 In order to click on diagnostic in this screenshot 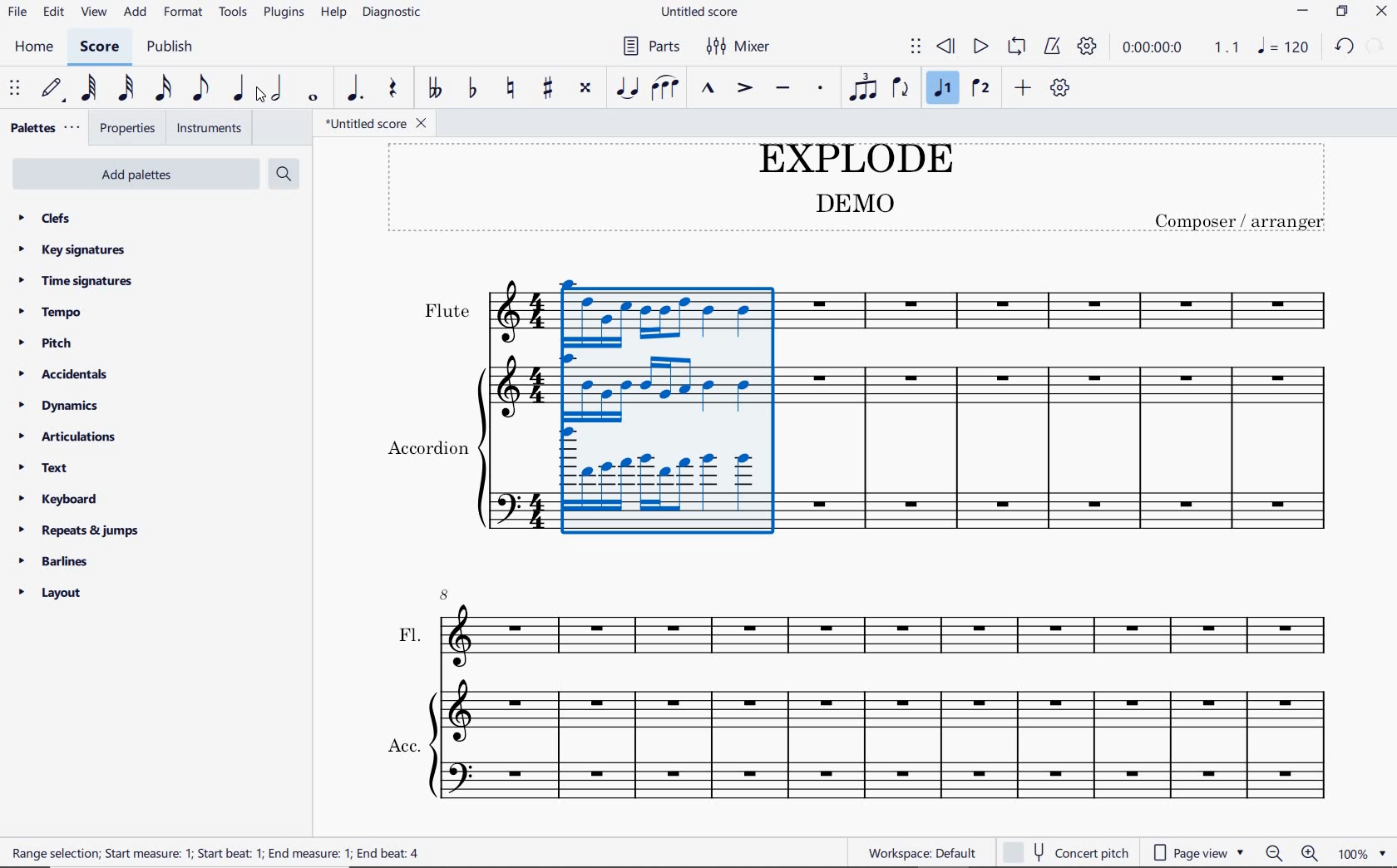, I will do `click(395, 11)`.